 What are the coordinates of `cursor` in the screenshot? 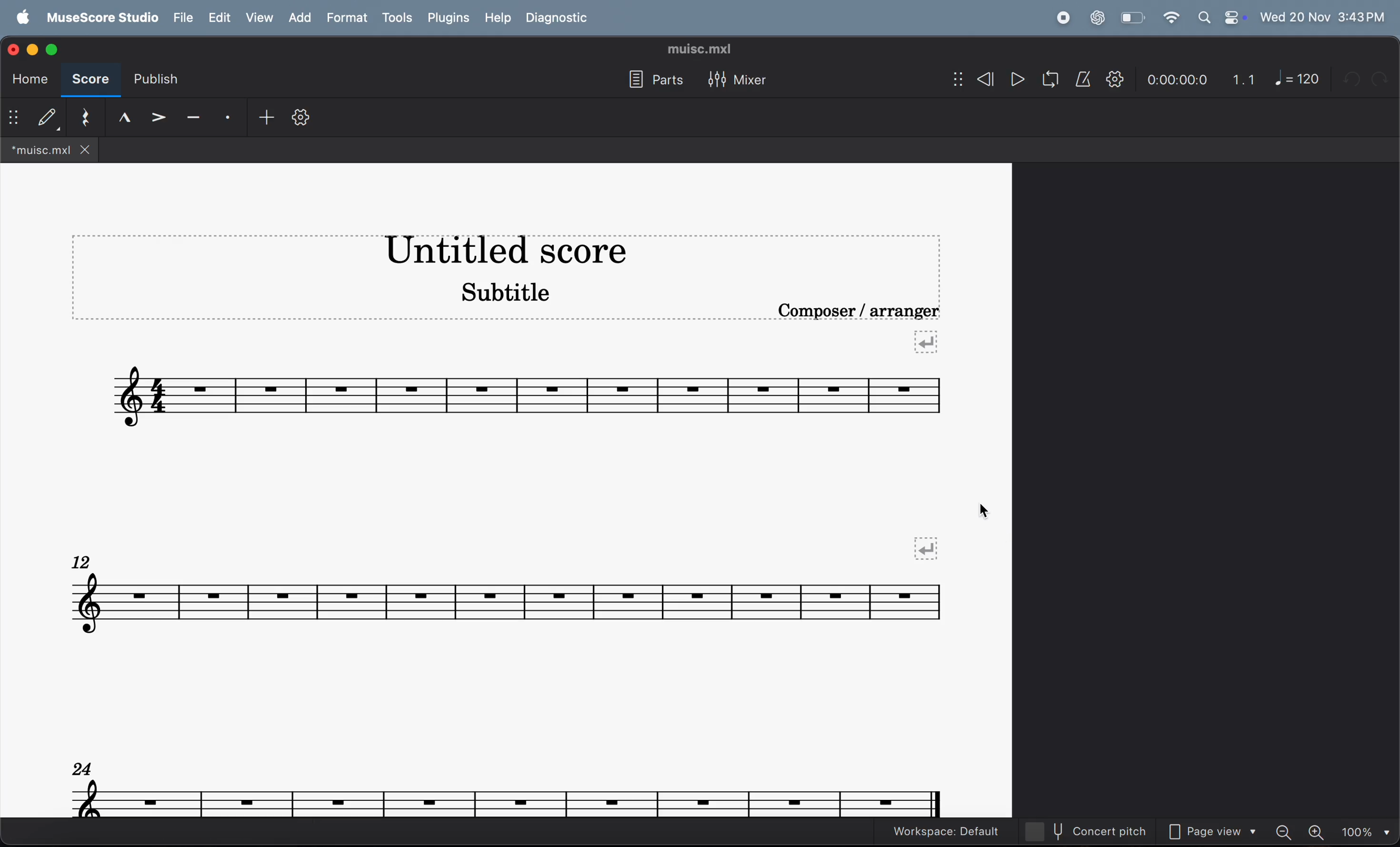 It's located at (986, 509).